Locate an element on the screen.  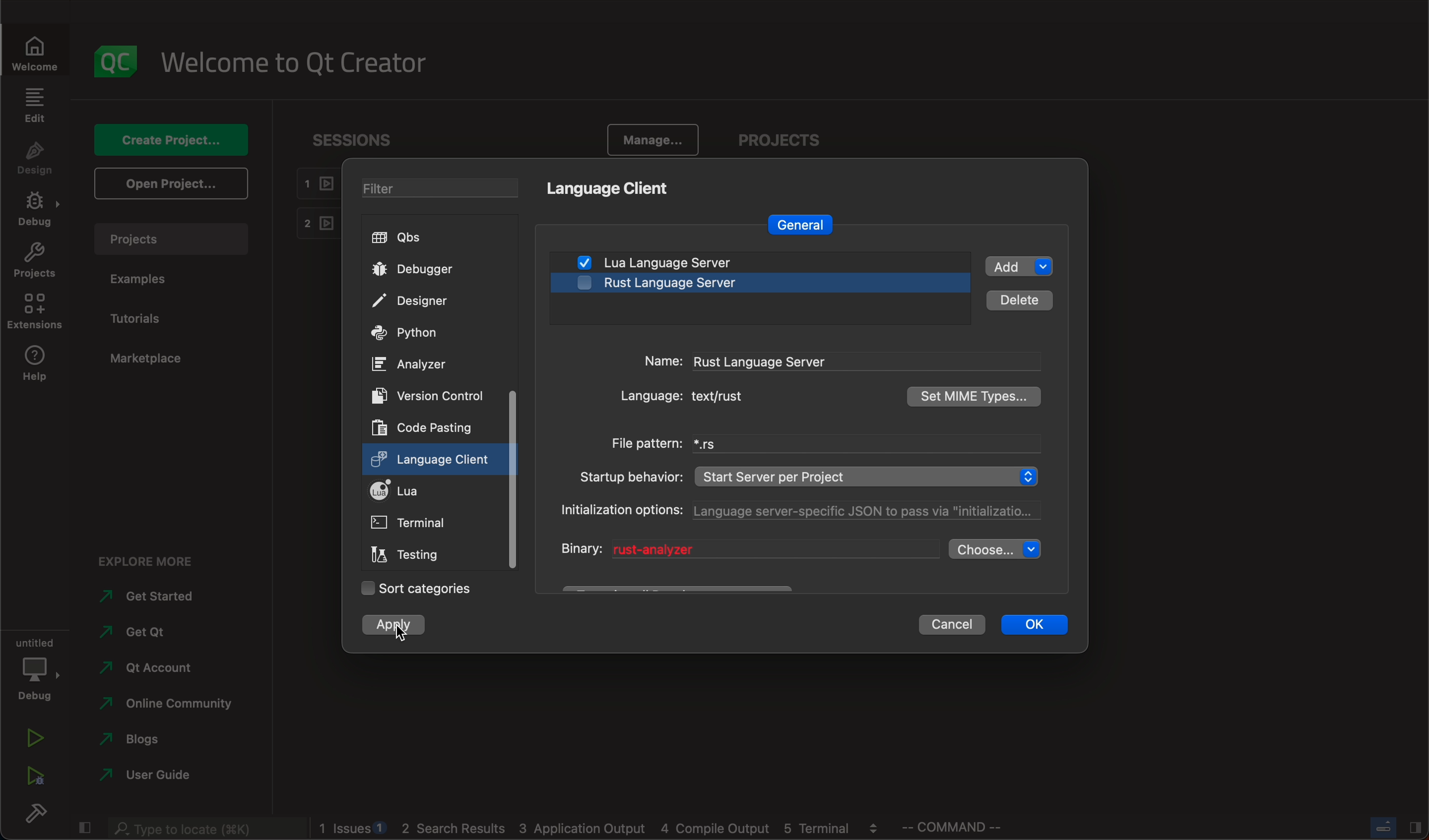
guide is located at coordinates (146, 777).